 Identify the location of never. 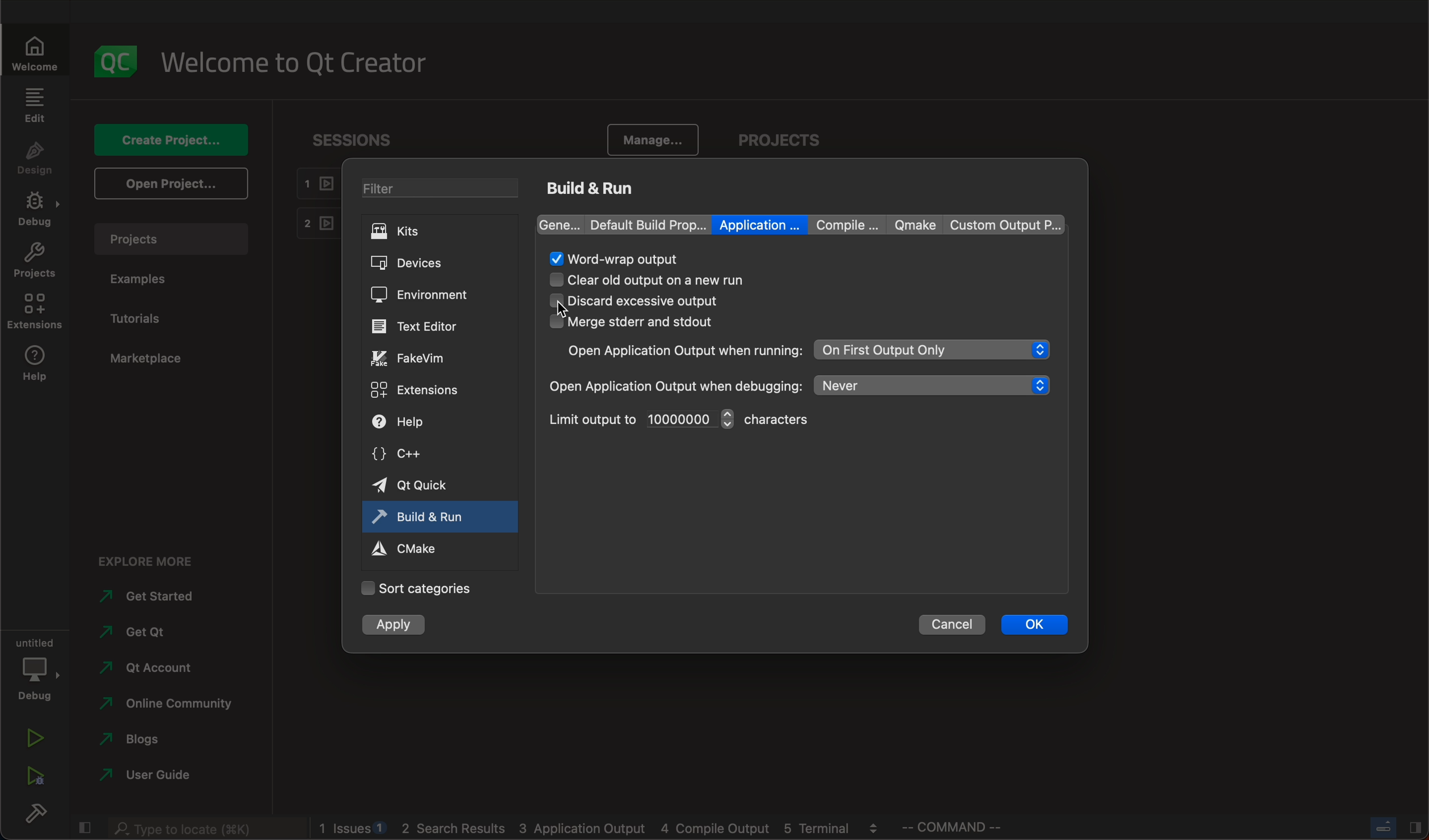
(934, 385).